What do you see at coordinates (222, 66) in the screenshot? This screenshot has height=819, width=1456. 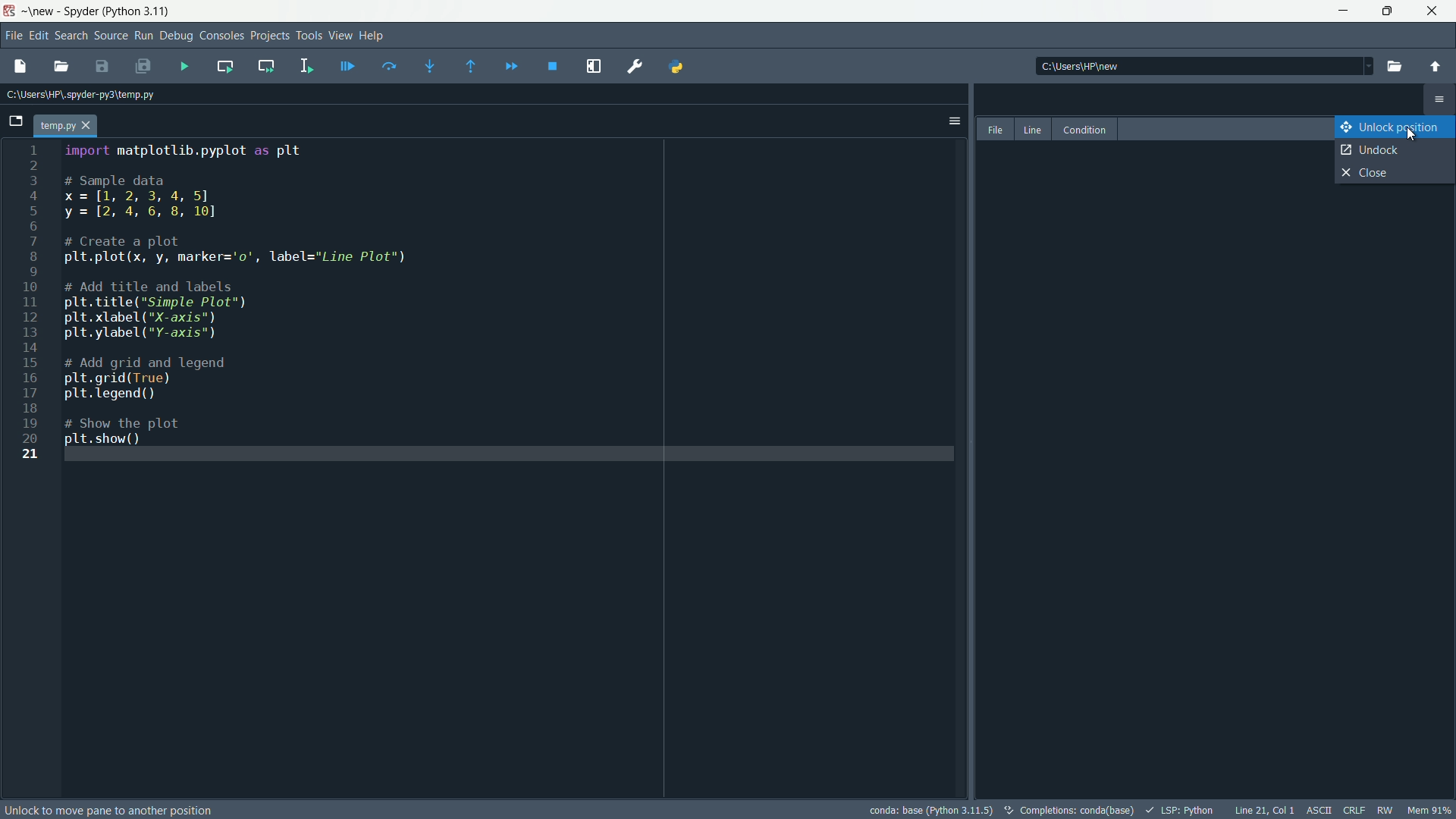 I see `run current cell` at bounding box center [222, 66].